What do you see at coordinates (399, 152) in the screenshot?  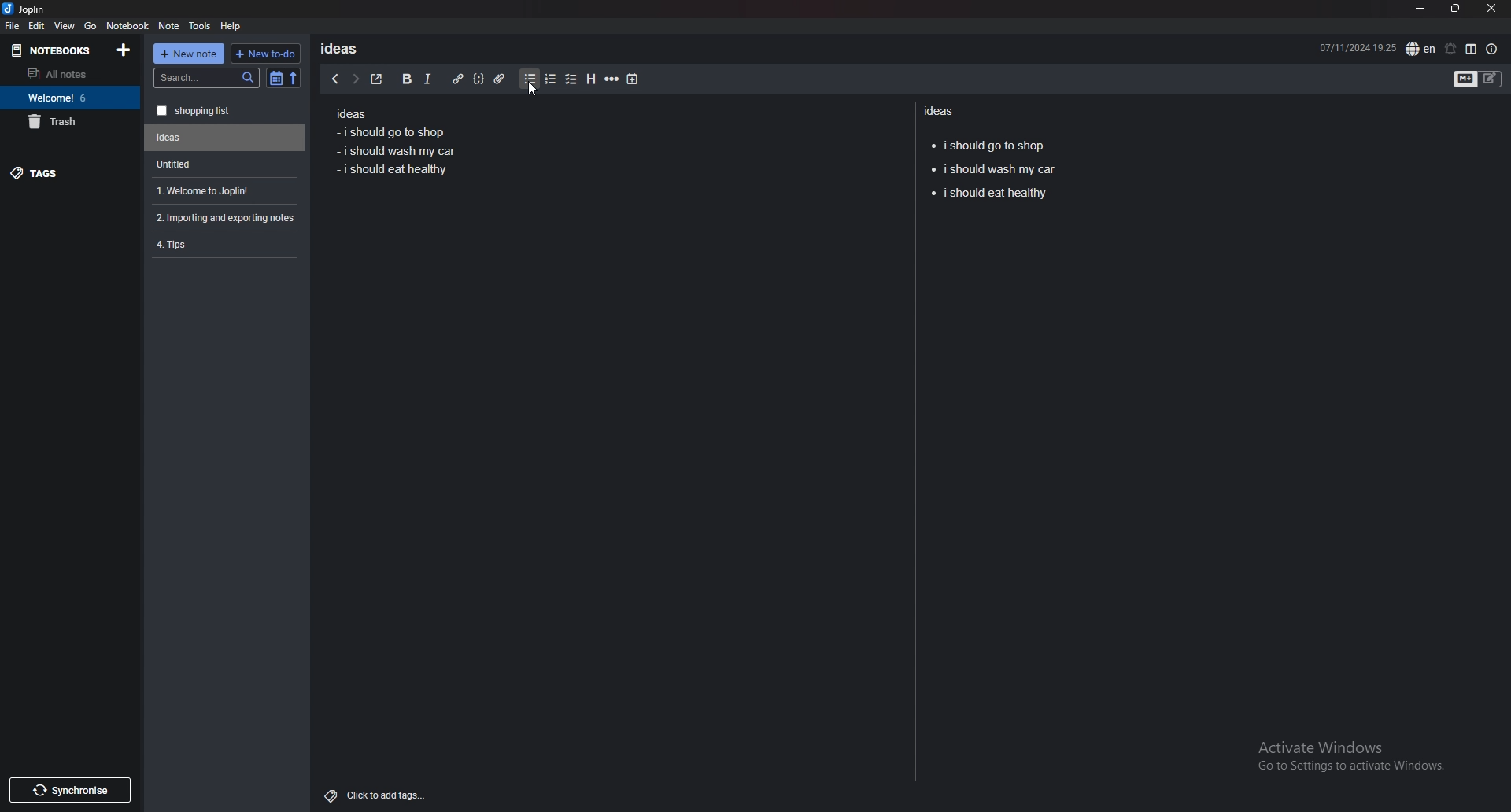 I see `i should wash my car` at bounding box center [399, 152].